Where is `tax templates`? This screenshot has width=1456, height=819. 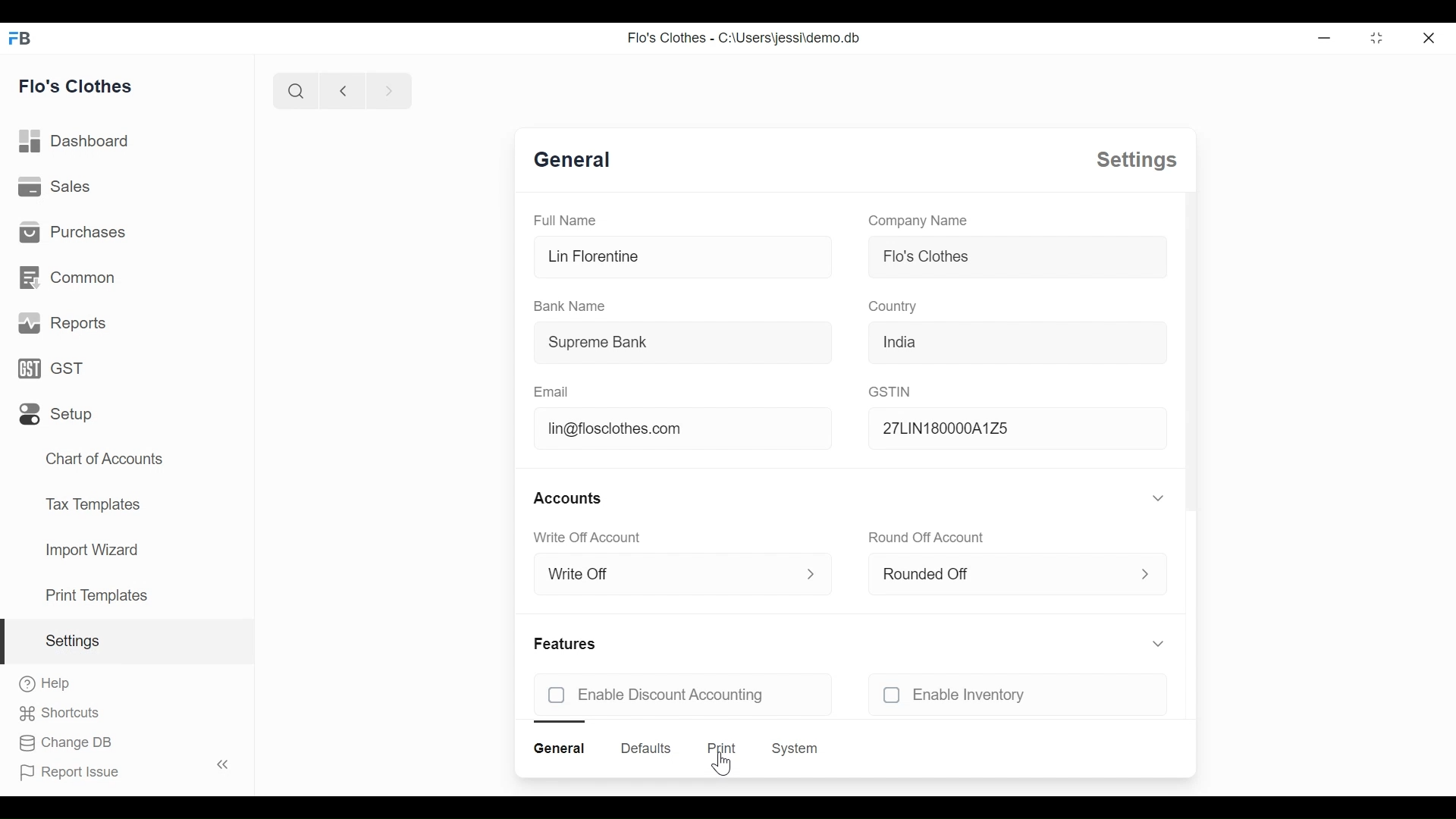
tax templates is located at coordinates (90, 503).